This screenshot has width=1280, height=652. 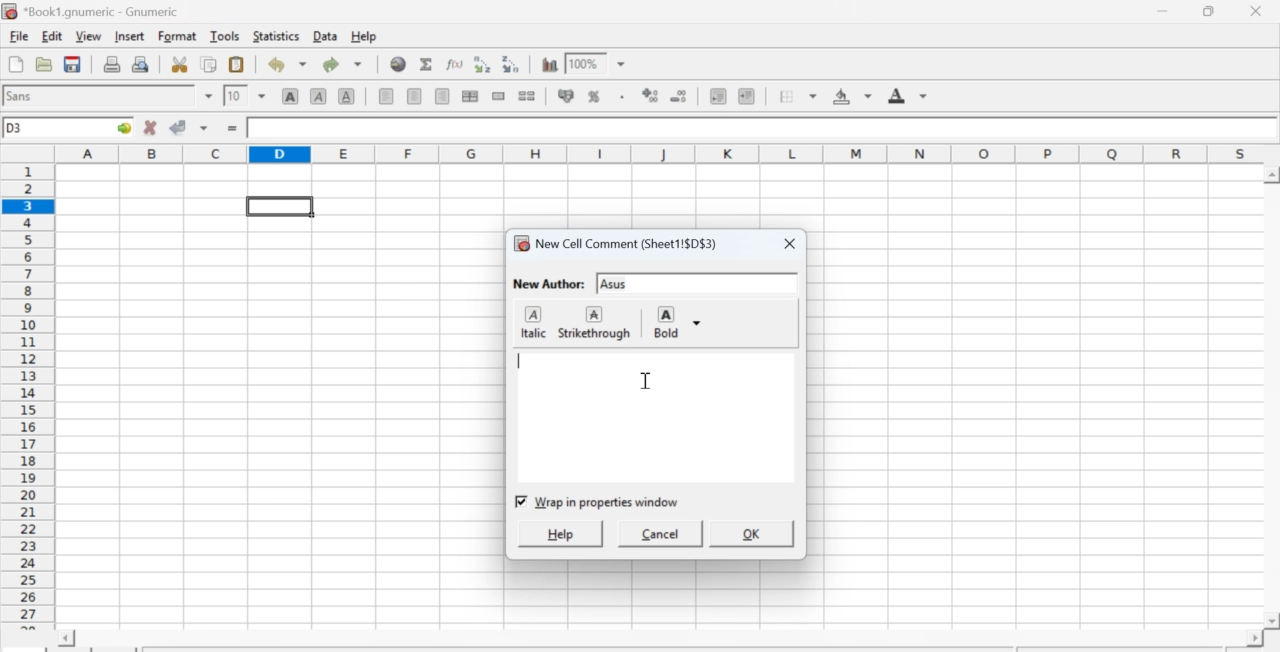 I want to click on Center horizontally, so click(x=413, y=95).